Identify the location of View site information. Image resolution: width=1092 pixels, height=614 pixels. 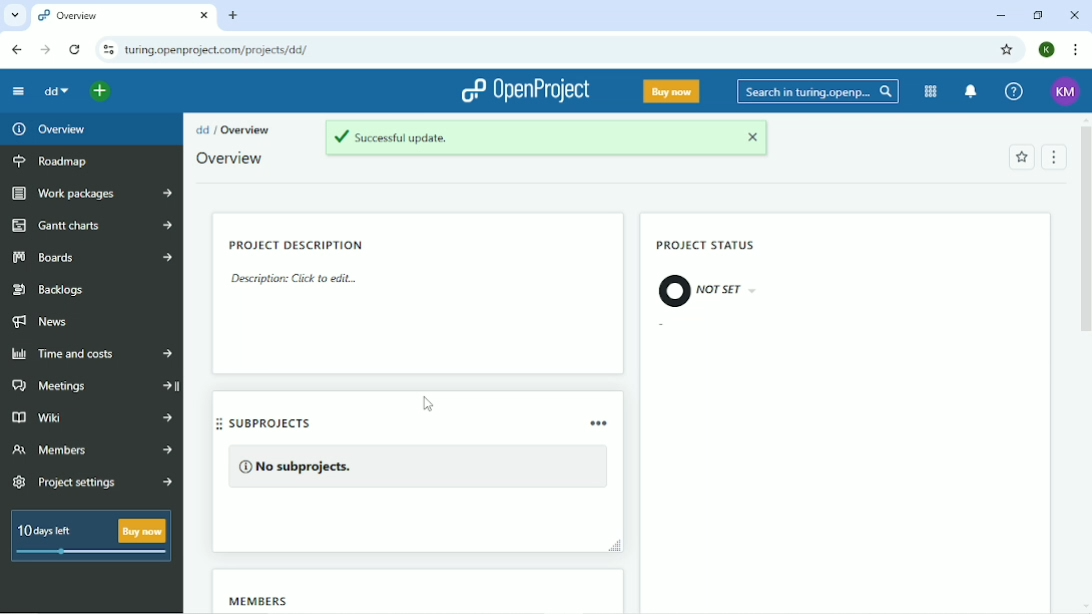
(109, 49).